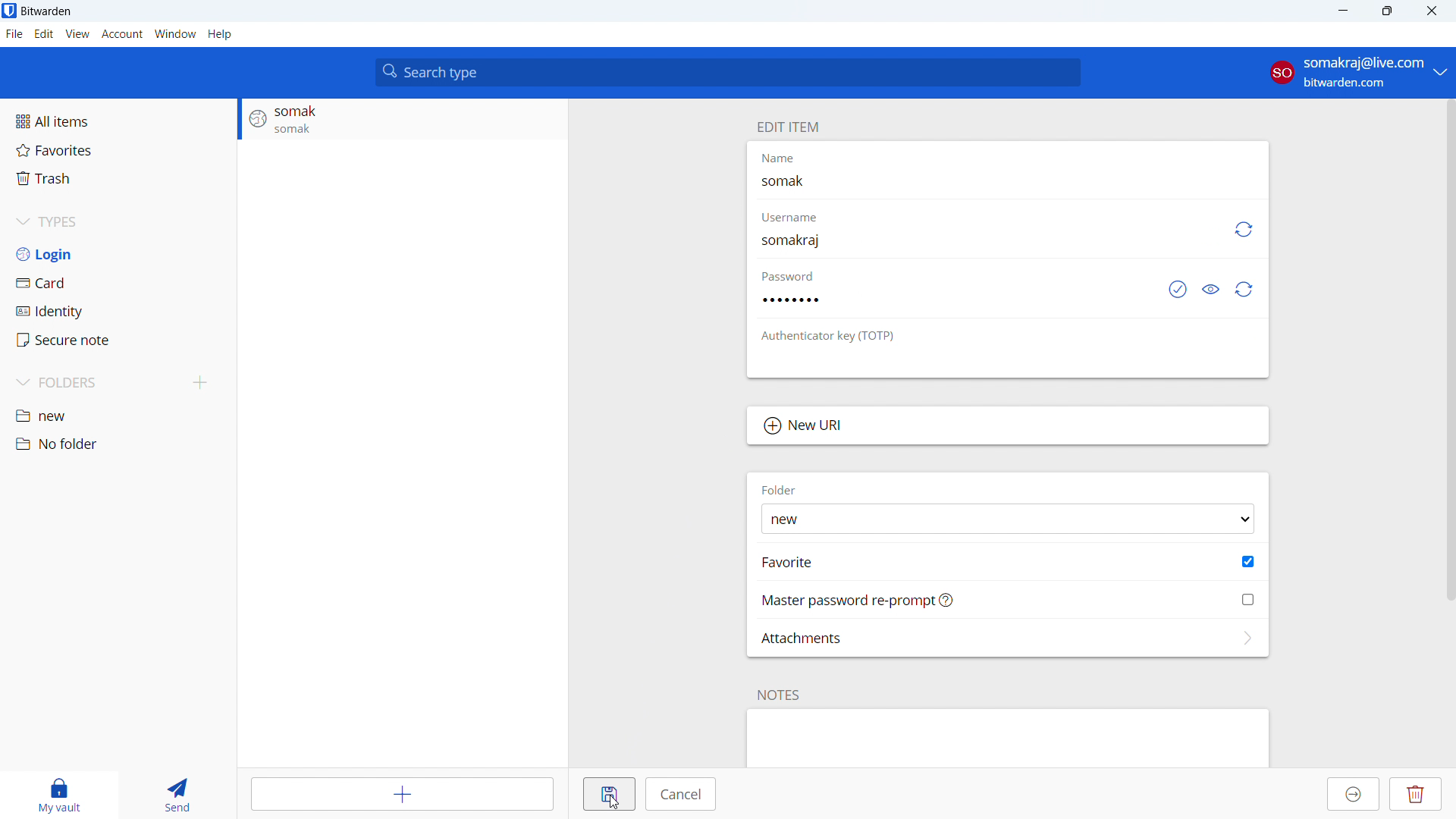 The image size is (1456, 819). Describe the element at coordinates (779, 488) in the screenshot. I see `FOLDER` at that location.